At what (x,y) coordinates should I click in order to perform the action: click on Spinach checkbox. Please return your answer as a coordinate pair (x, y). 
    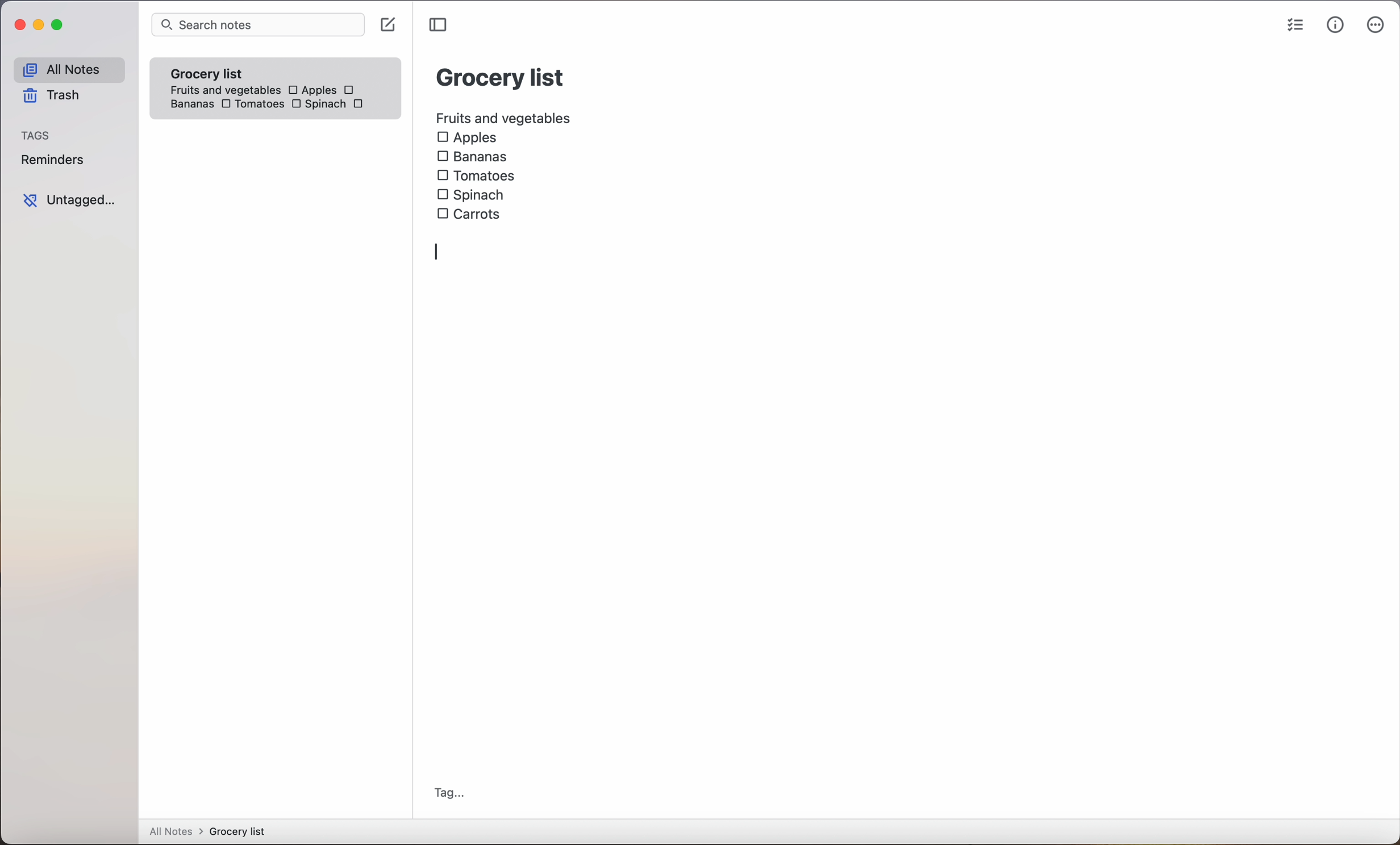
    Looking at the image, I should click on (318, 106).